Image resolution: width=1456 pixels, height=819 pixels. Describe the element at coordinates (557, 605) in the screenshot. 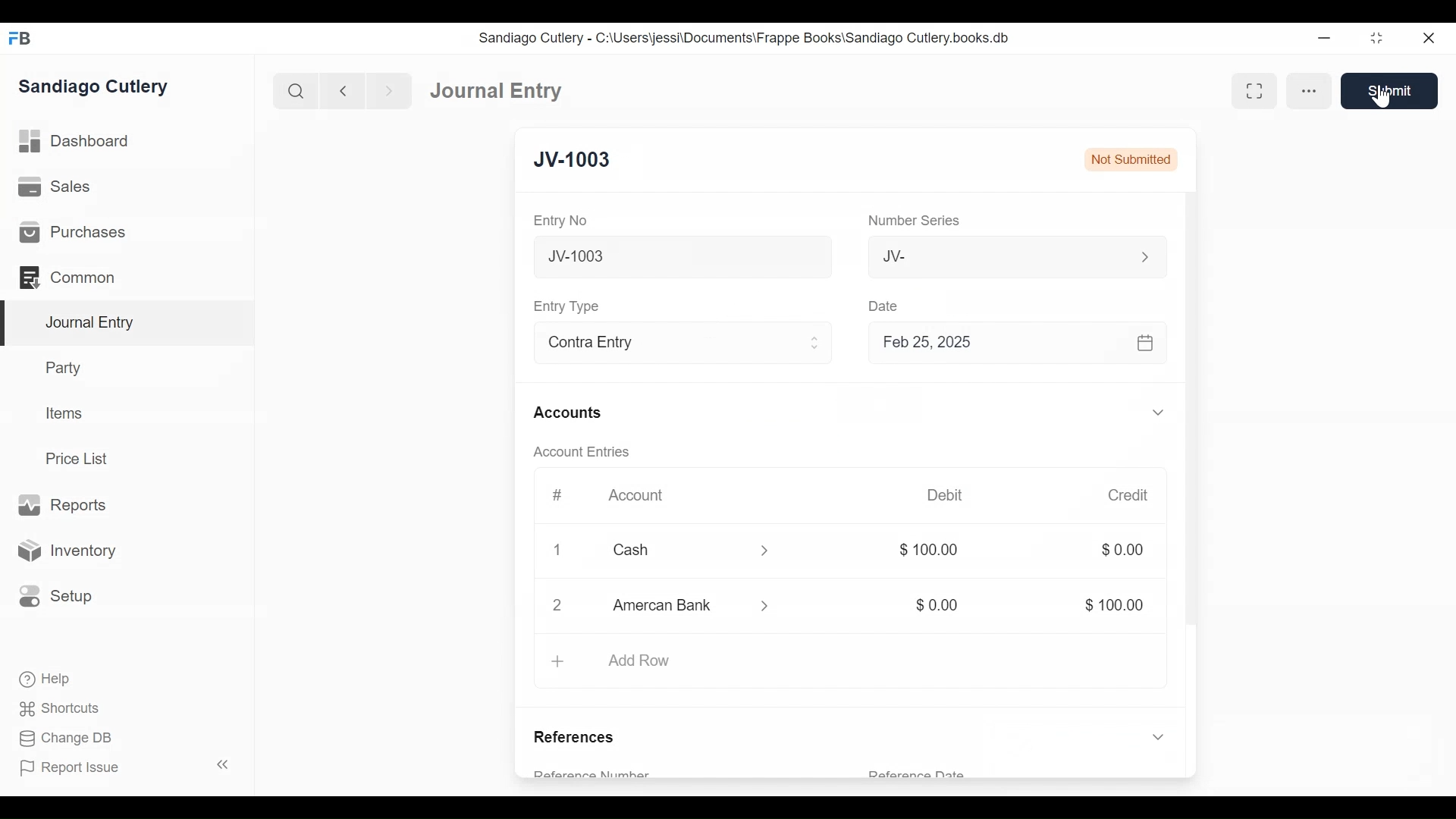

I see `2` at that location.